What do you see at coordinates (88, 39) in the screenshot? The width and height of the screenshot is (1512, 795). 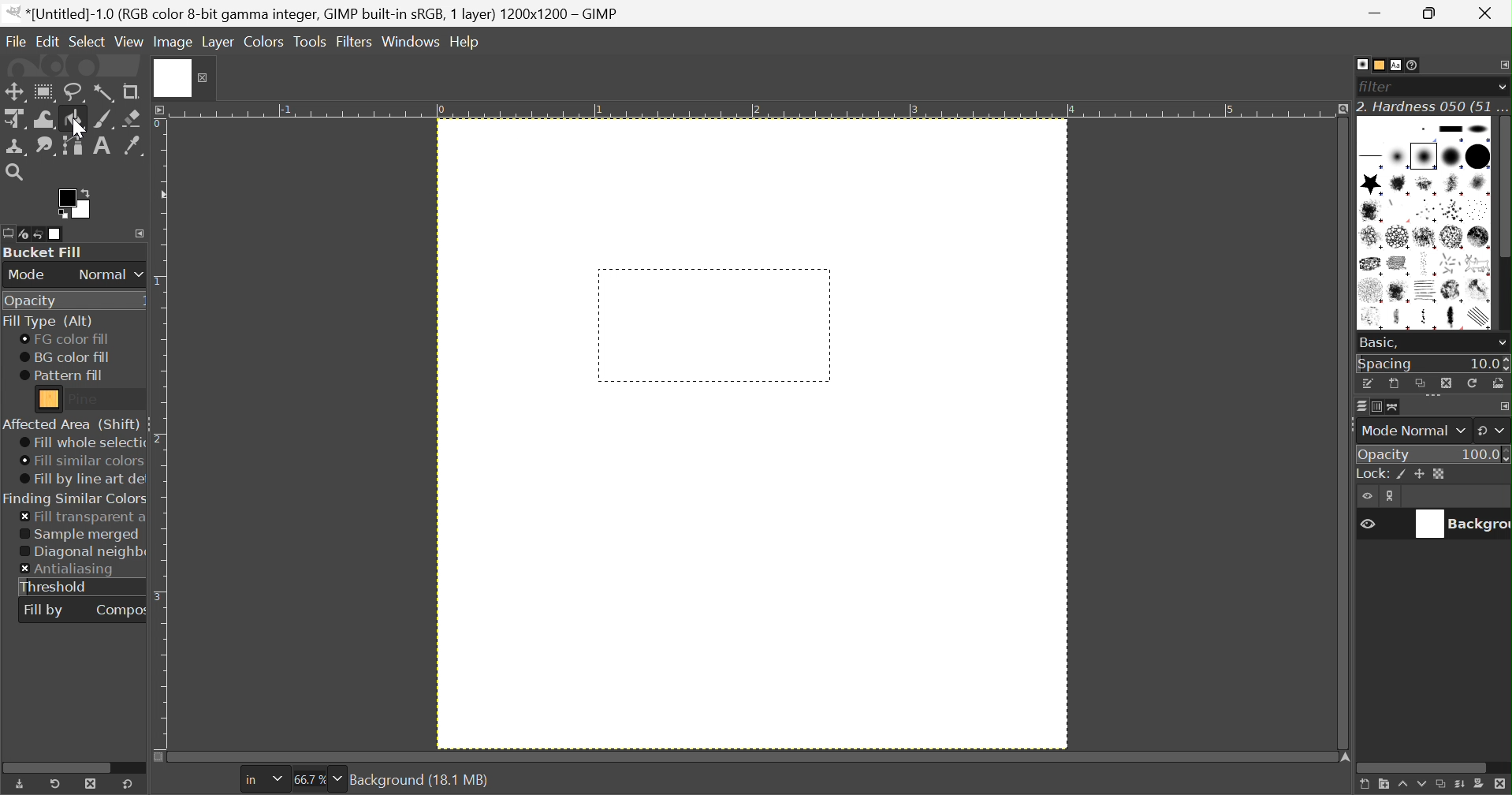 I see `Select` at bounding box center [88, 39].